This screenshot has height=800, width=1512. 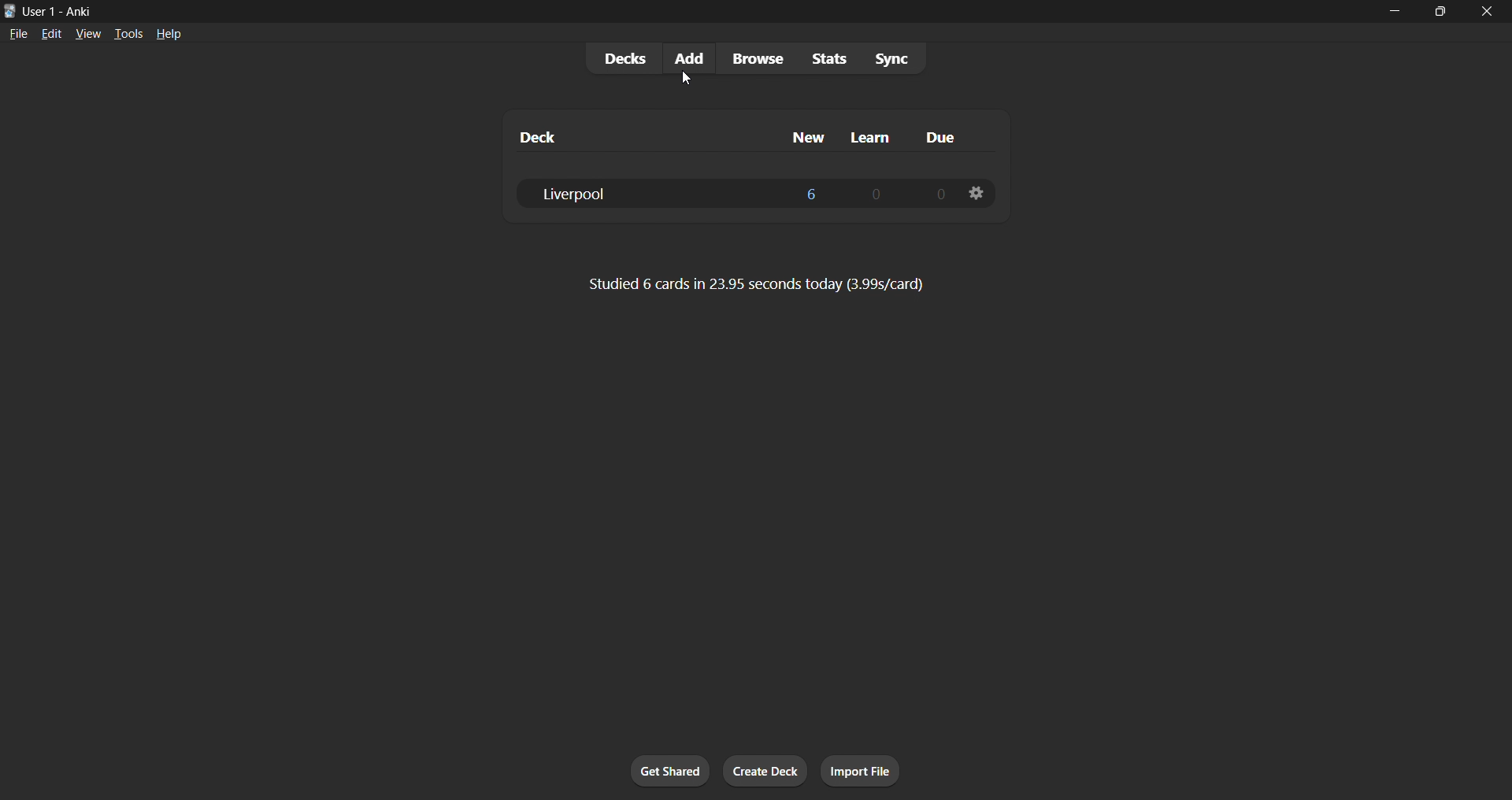 I want to click on Anki logo, so click(x=10, y=11).